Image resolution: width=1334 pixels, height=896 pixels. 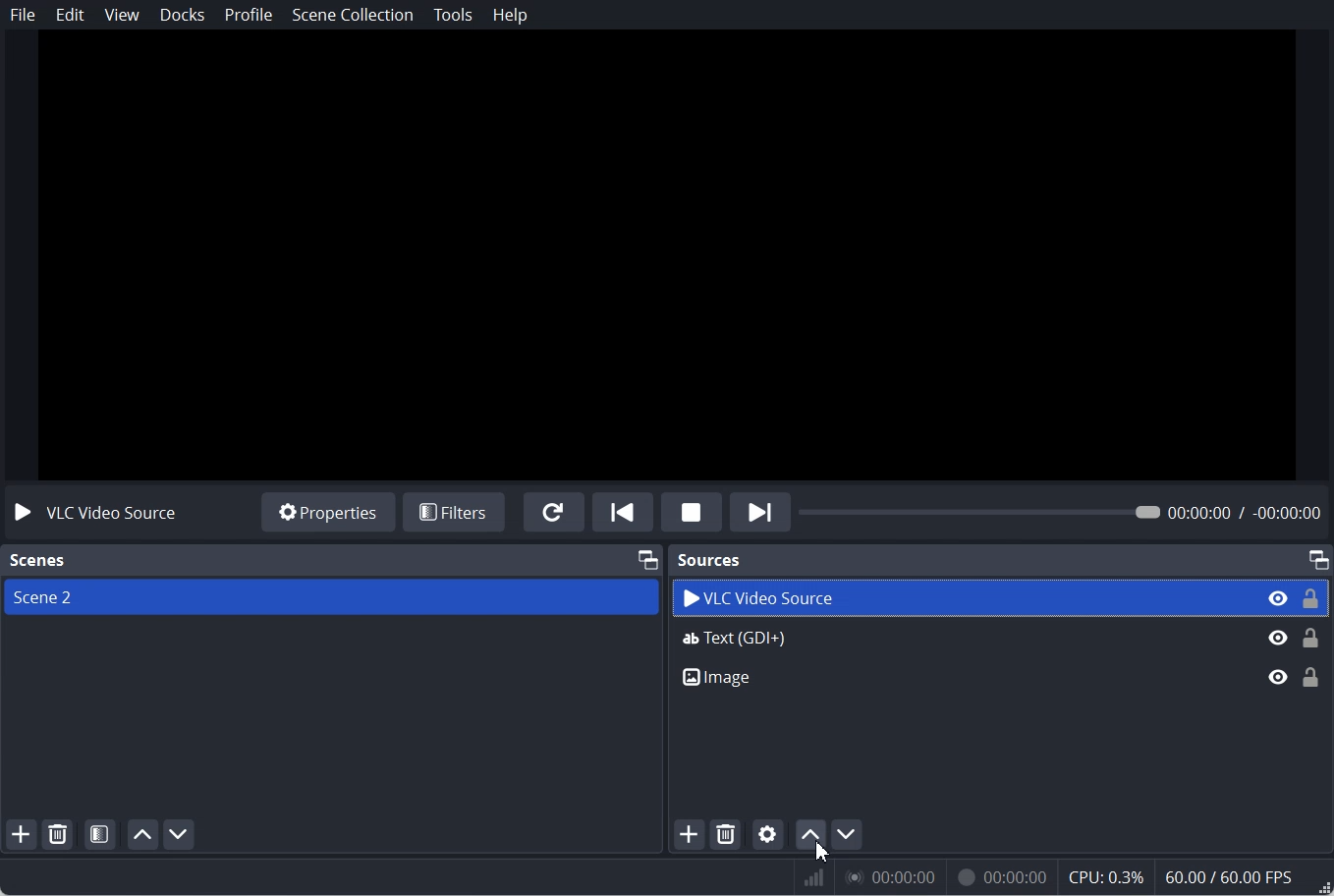 I want to click on Next in Playlist, so click(x=760, y=511).